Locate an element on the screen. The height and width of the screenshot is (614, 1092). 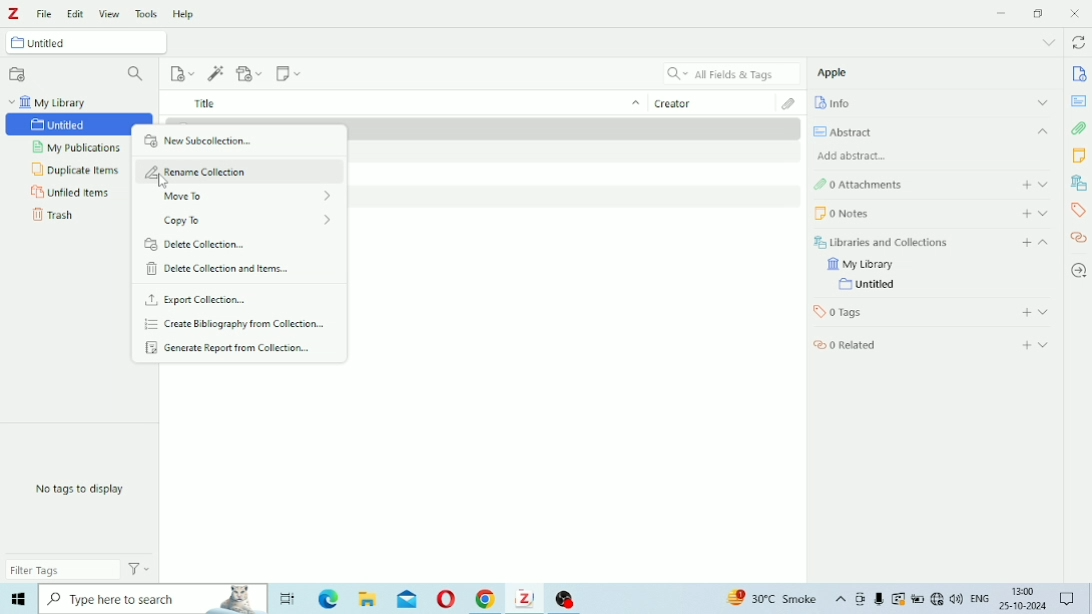
Move To. is located at coordinates (239, 194).